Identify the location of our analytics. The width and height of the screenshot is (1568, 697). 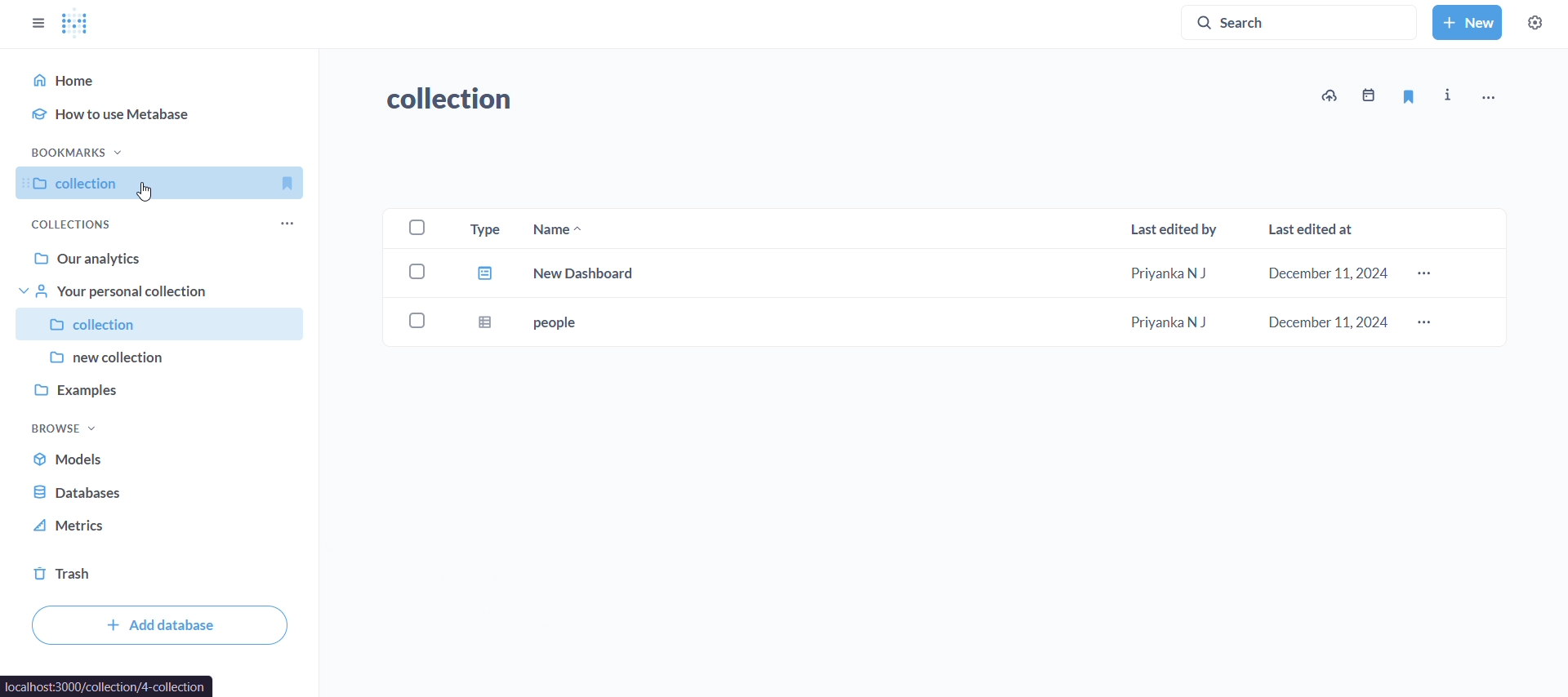
(163, 260).